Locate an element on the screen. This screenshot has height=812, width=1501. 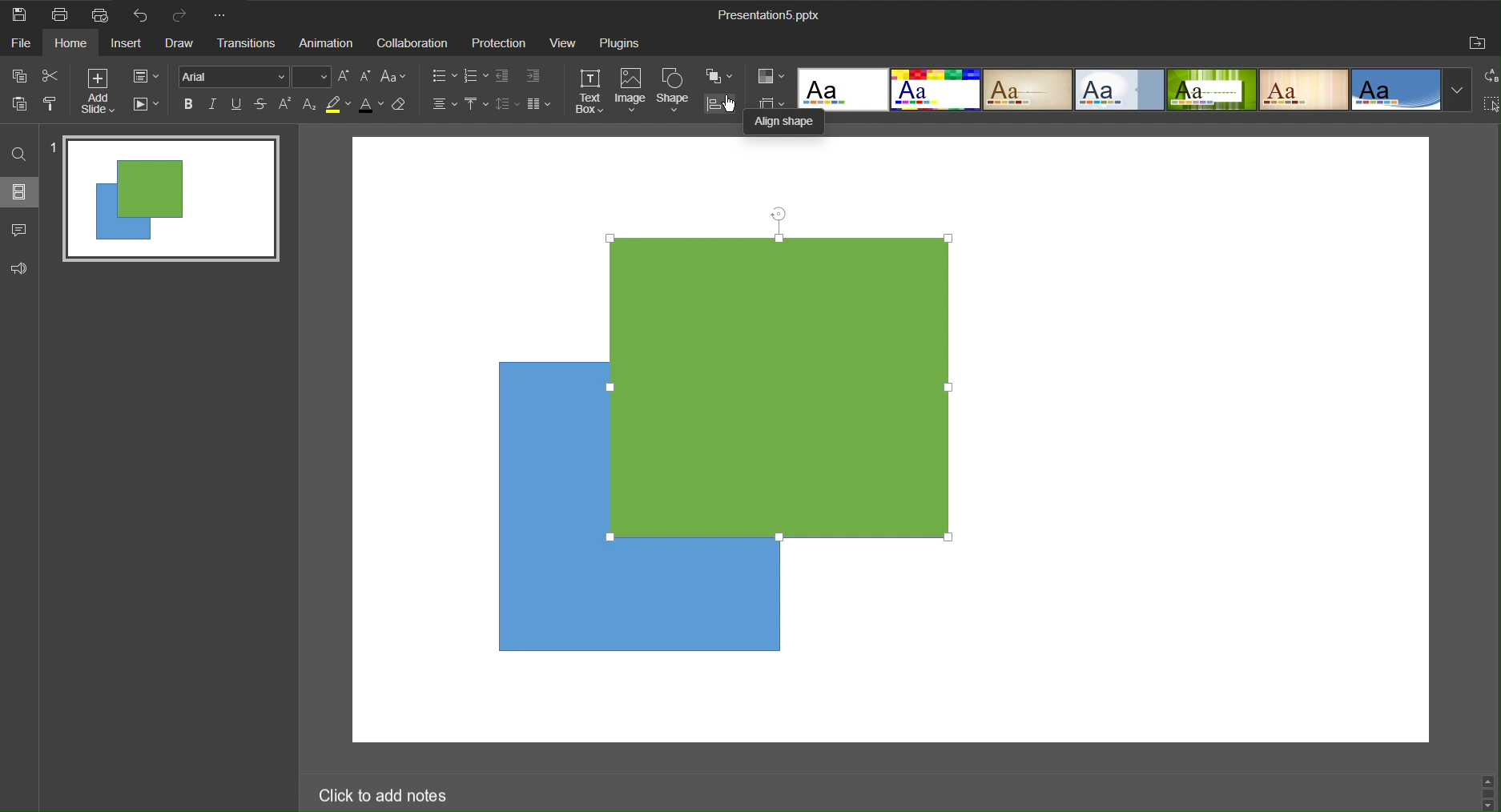
Arrange is located at coordinates (721, 76).